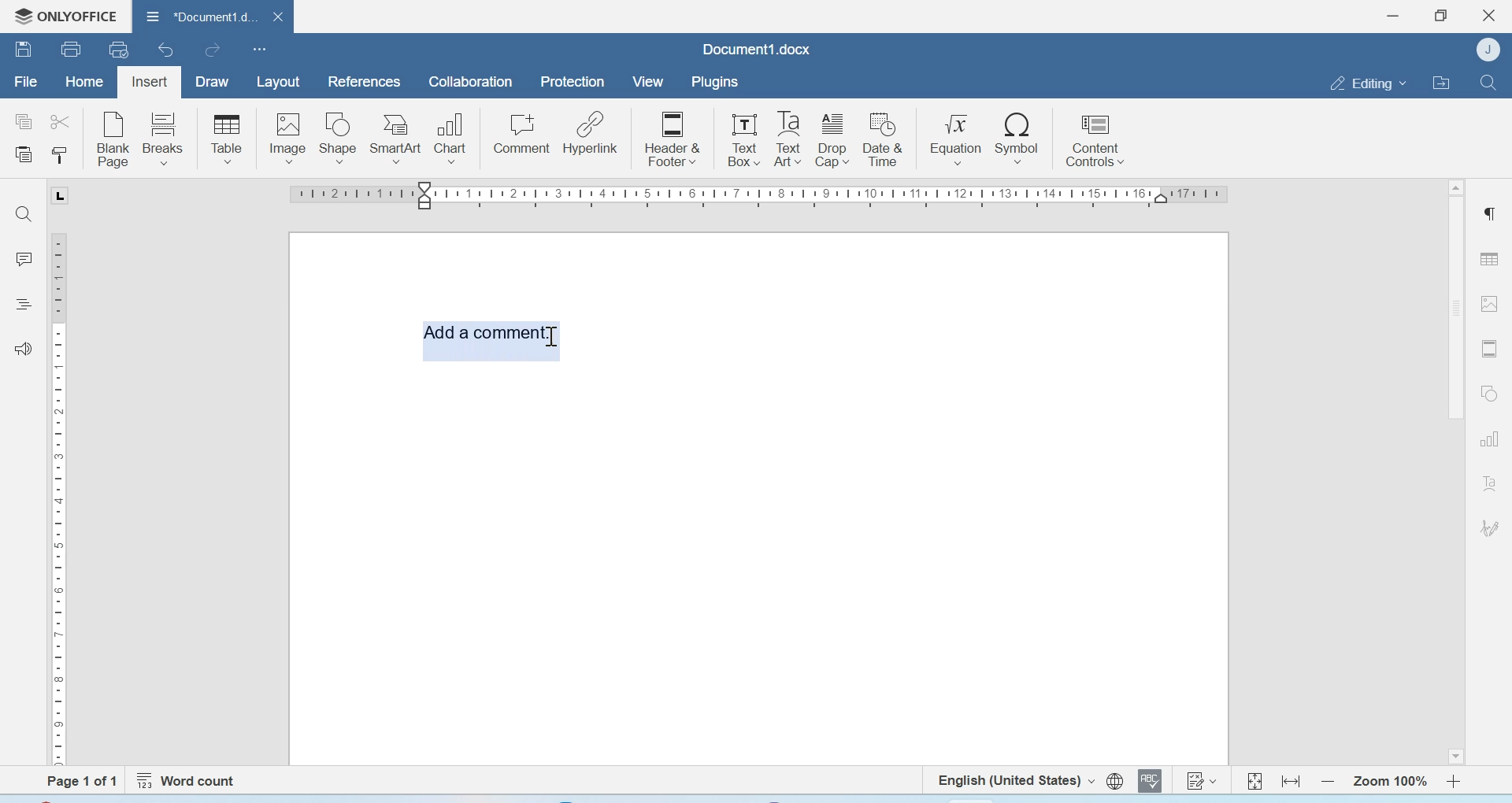 This screenshot has height=803, width=1512. What do you see at coordinates (1488, 213) in the screenshot?
I see `Paragraph settings` at bounding box center [1488, 213].